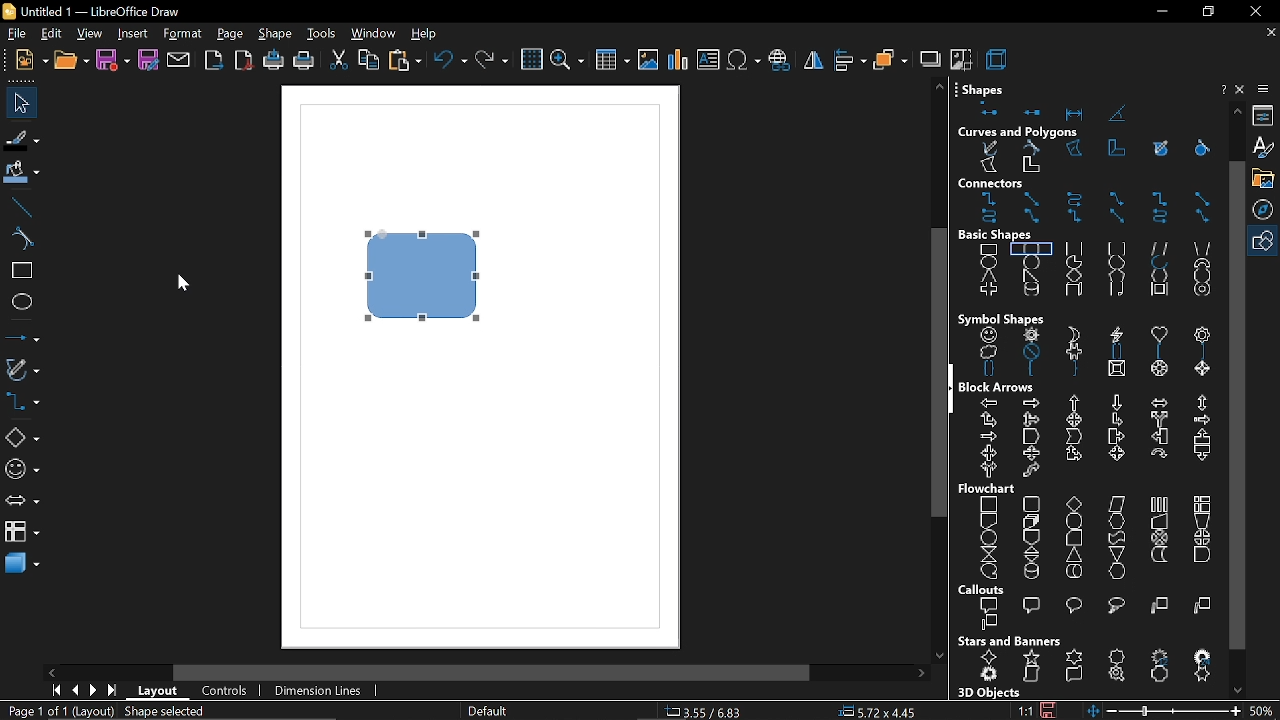 The width and height of the screenshot is (1280, 720). What do you see at coordinates (780, 61) in the screenshot?
I see `insert hyperlink` at bounding box center [780, 61].